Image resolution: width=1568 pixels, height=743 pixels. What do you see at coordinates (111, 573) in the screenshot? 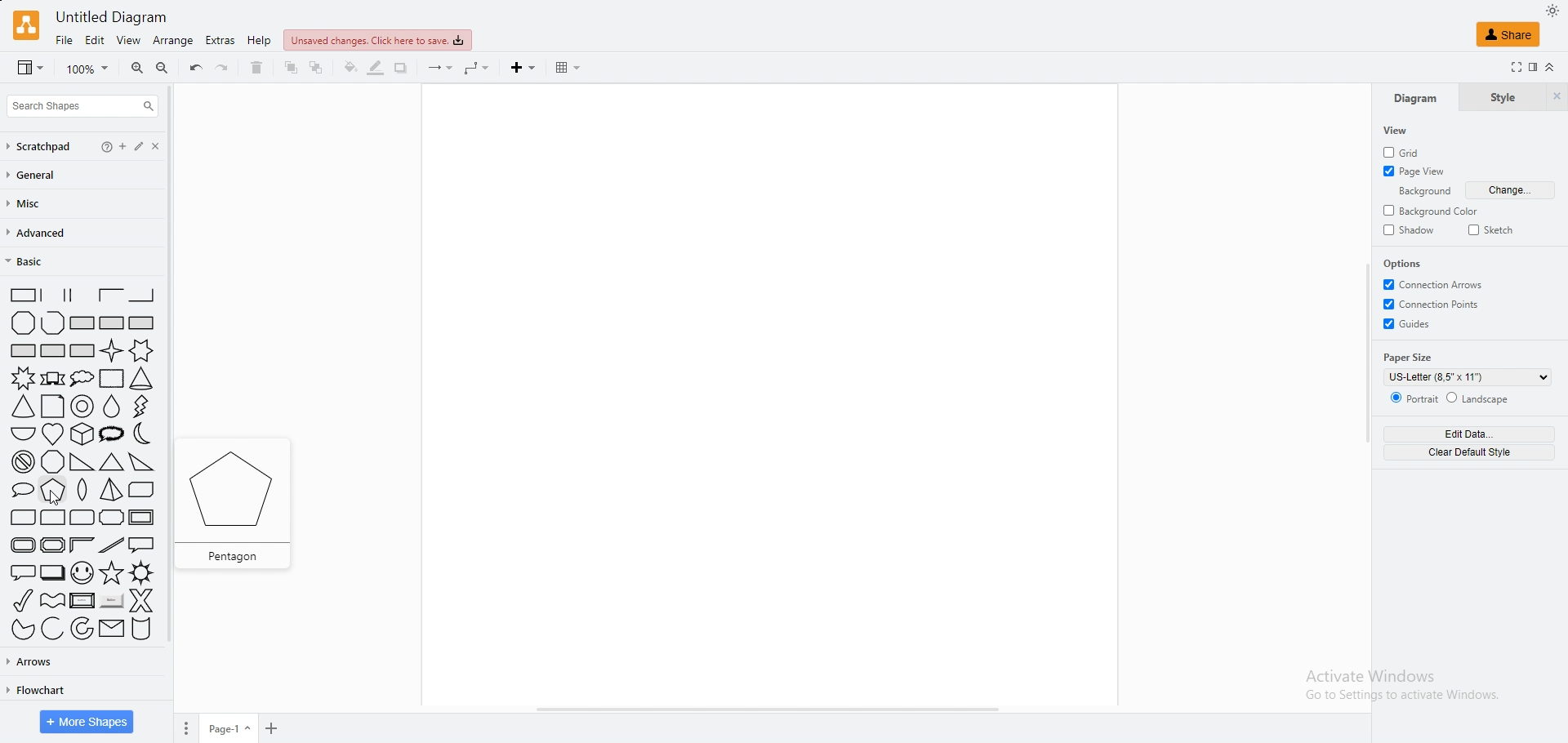
I see `star` at bounding box center [111, 573].